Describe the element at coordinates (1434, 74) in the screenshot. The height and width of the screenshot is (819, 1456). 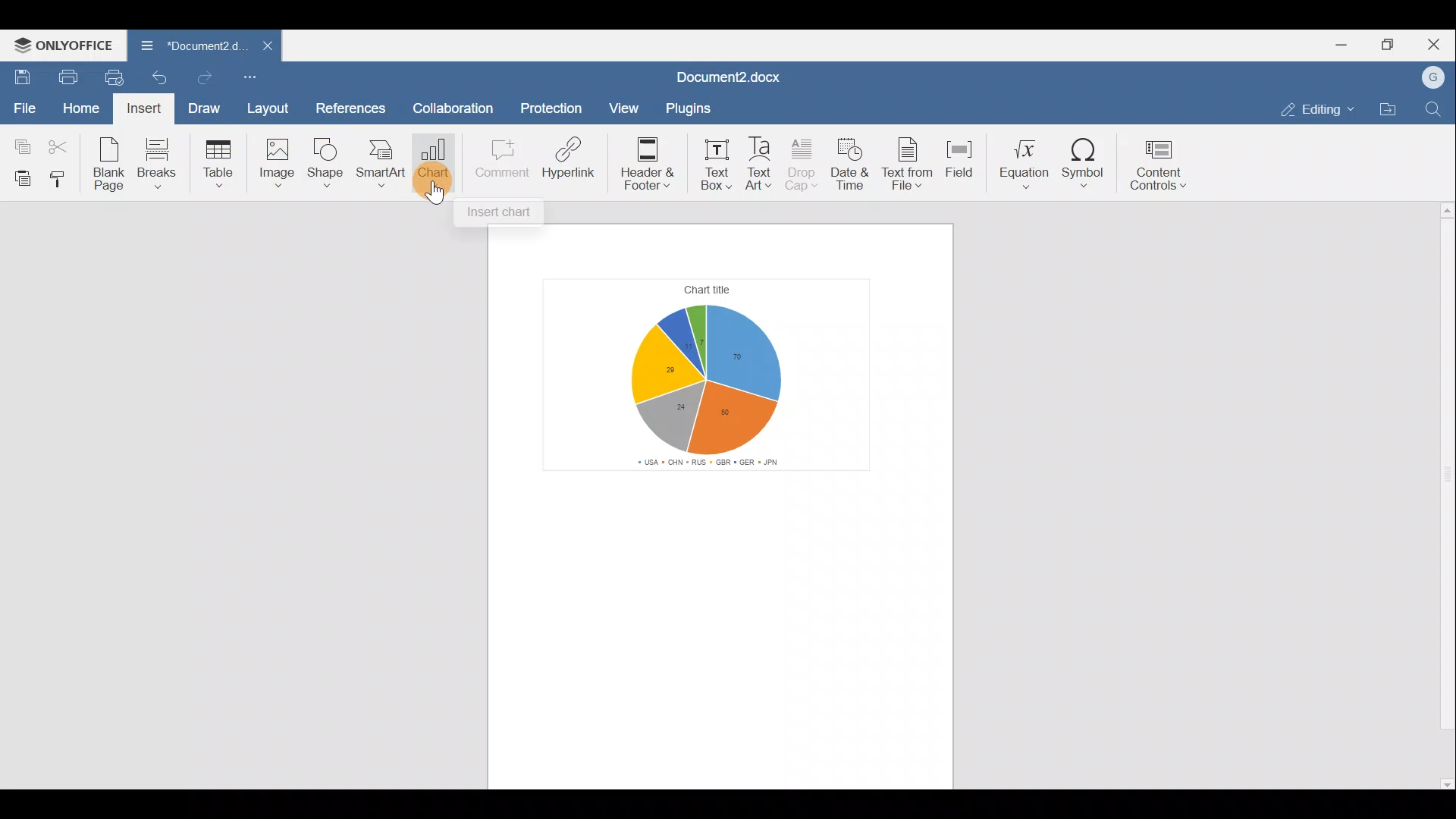
I see `Account name` at that location.